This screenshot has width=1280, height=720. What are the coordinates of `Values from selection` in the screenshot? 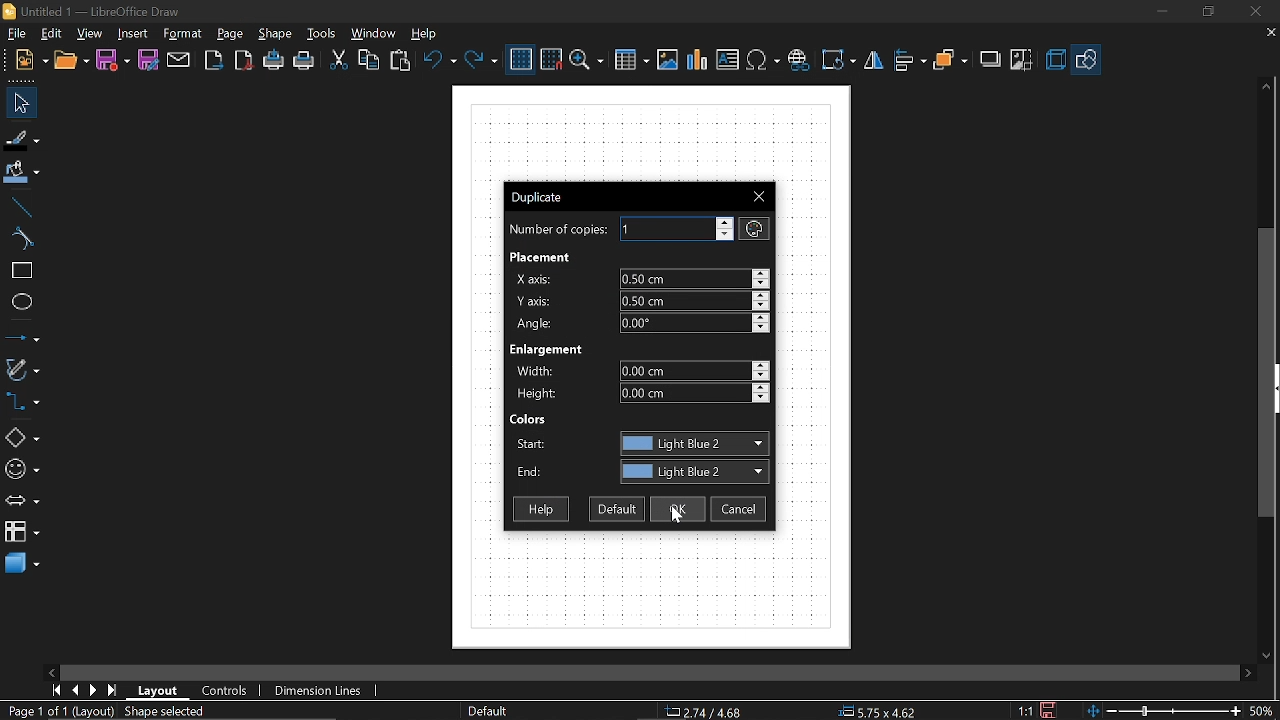 It's located at (754, 228).